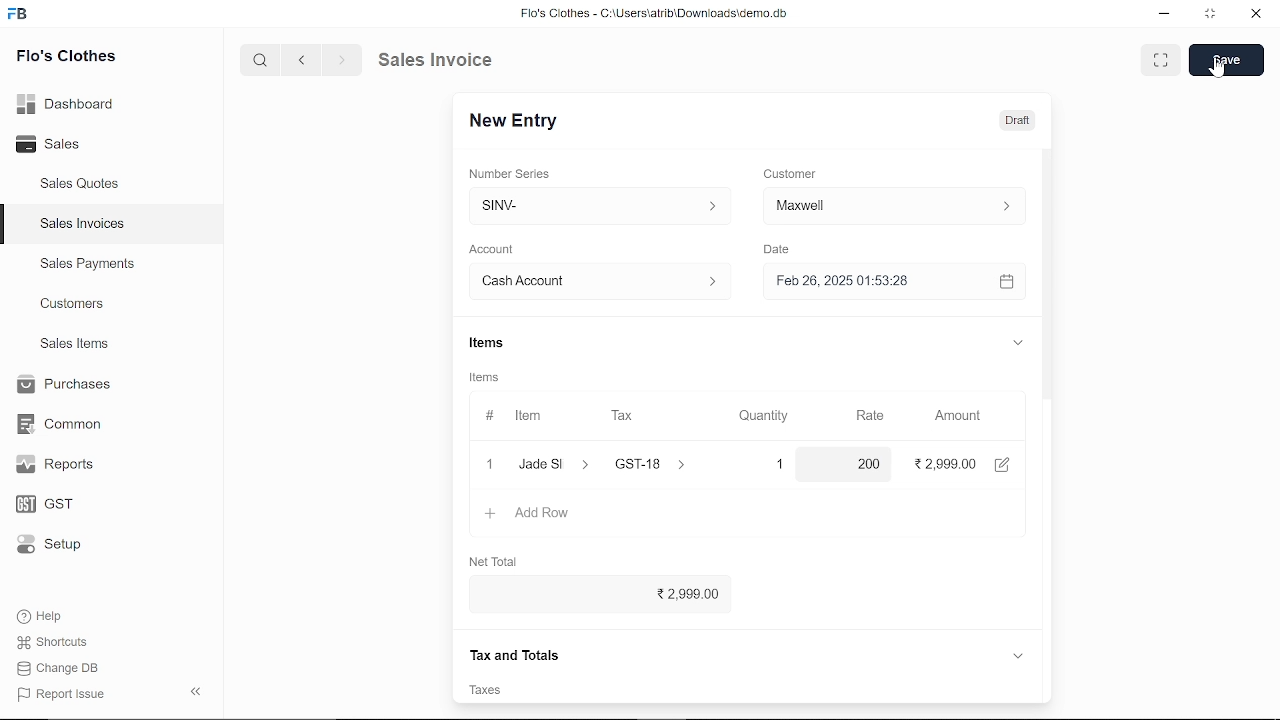 The height and width of the screenshot is (720, 1280). I want to click on Number Series, so click(512, 173).